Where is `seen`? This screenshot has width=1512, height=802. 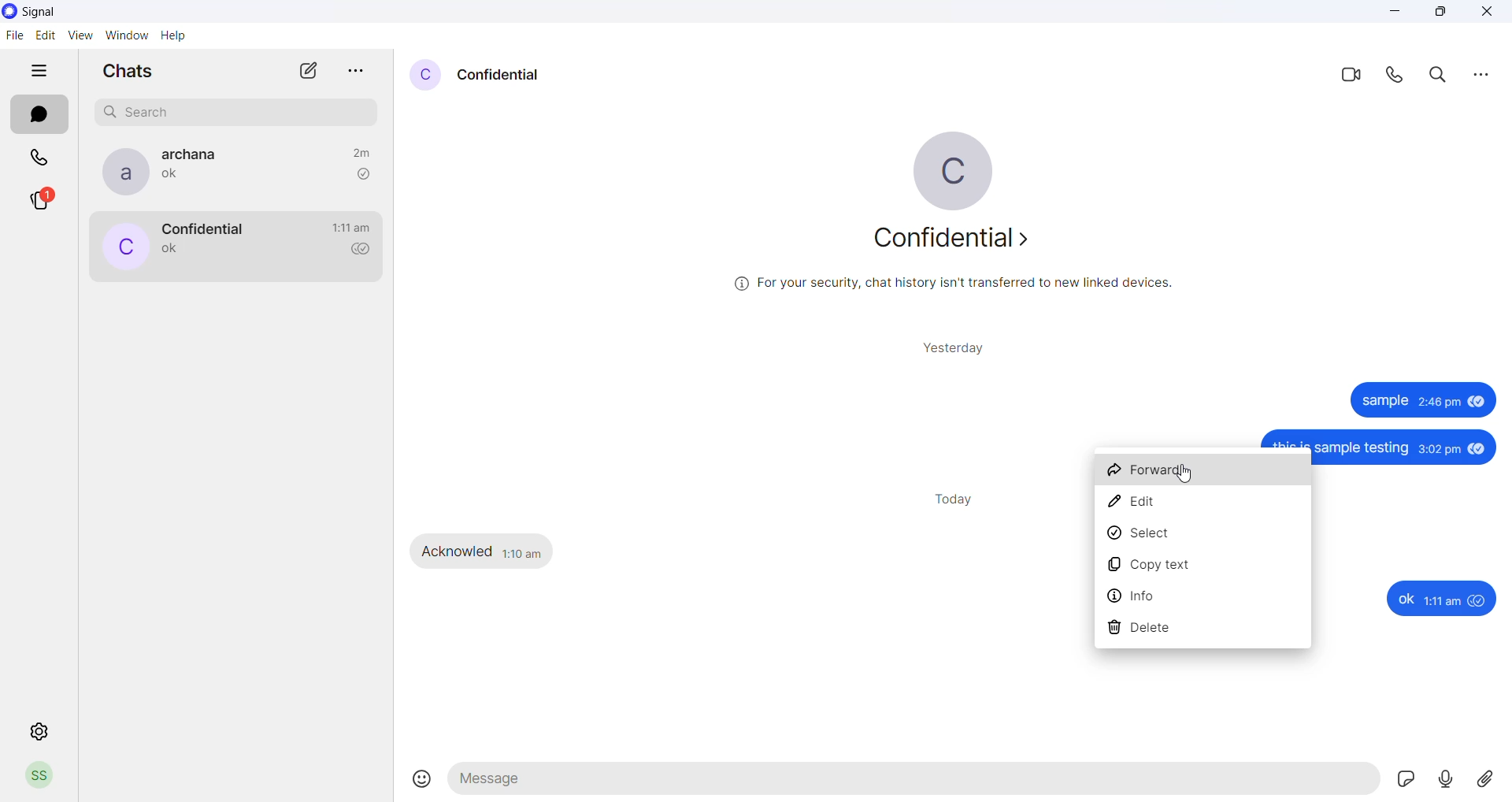
seen is located at coordinates (1477, 405).